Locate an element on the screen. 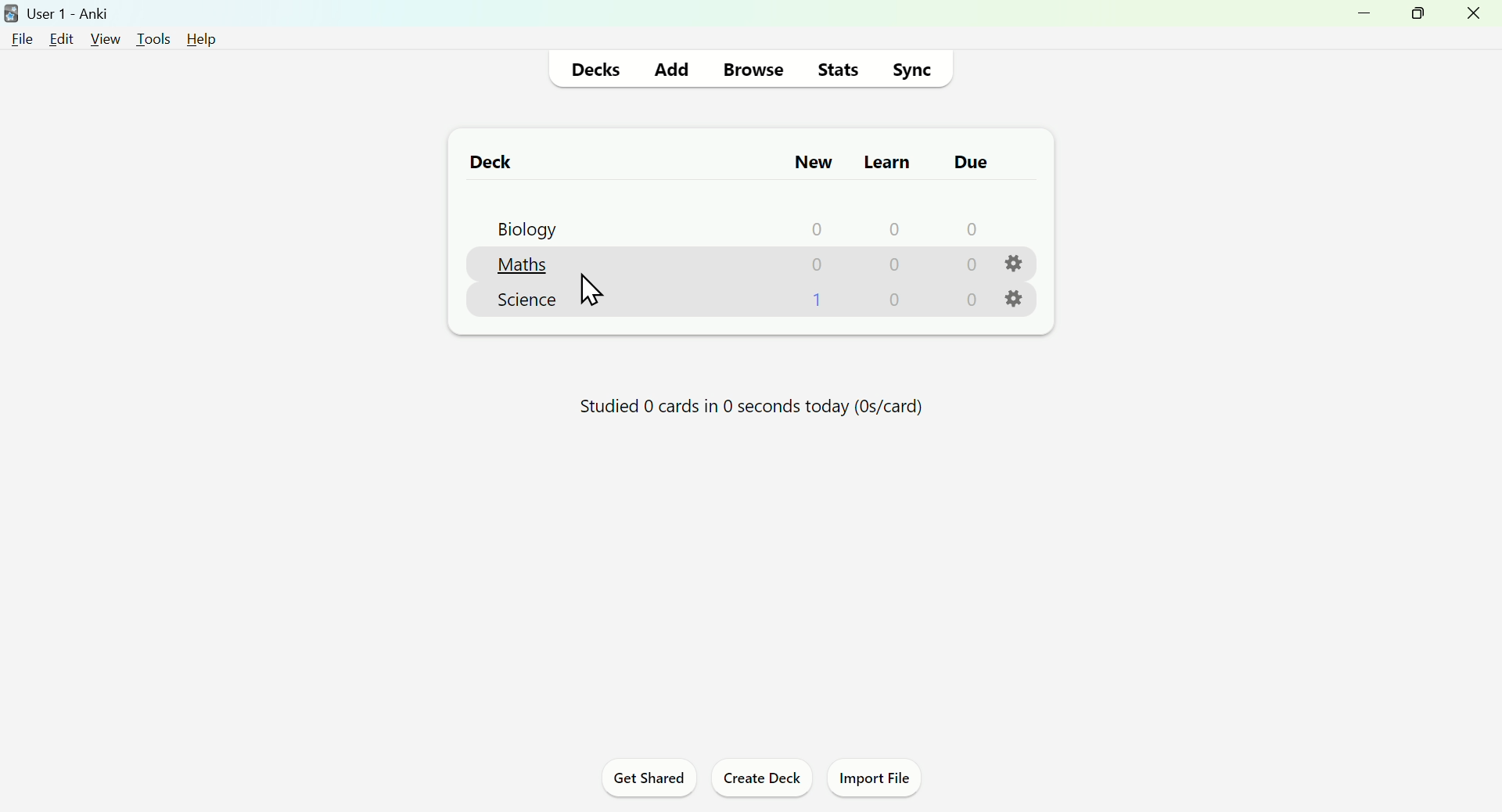 The height and width of the screenshot is (812, 1502). Maths is located at coordinates (526, 264).